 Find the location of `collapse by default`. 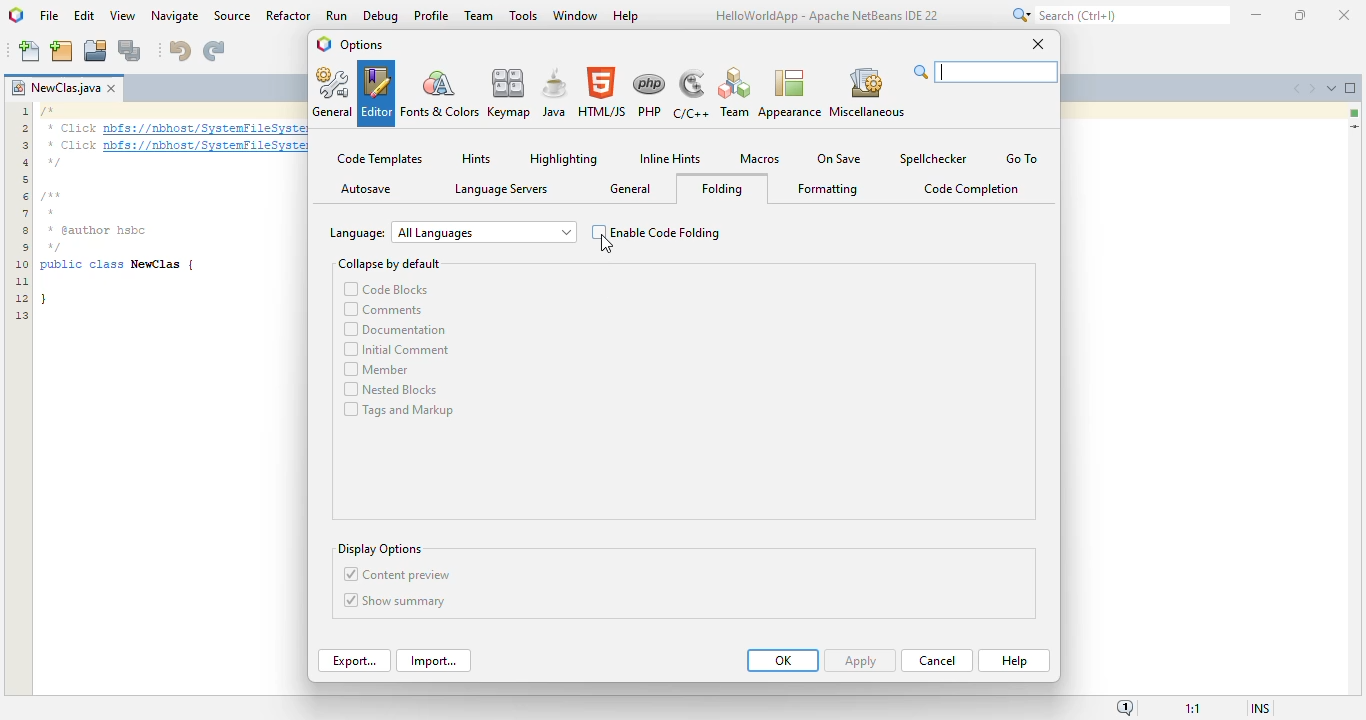

collapse by default is located at coordinates (388, 263).